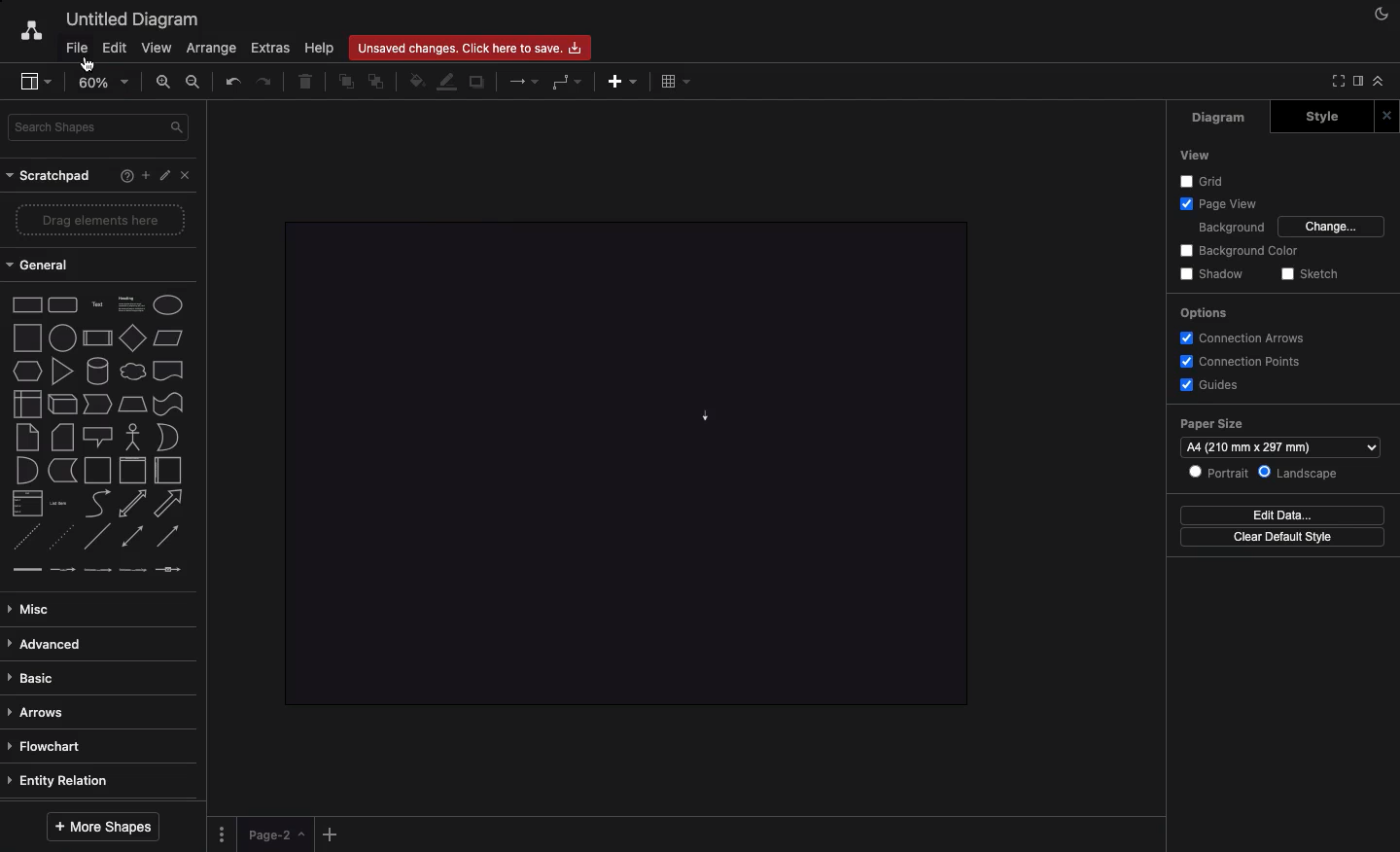 Image resolution: width=1400 pixels, height=852 pixels. Describe the element at coordinates (104, 828) in the screenshot. I see `More shapes` at that location.